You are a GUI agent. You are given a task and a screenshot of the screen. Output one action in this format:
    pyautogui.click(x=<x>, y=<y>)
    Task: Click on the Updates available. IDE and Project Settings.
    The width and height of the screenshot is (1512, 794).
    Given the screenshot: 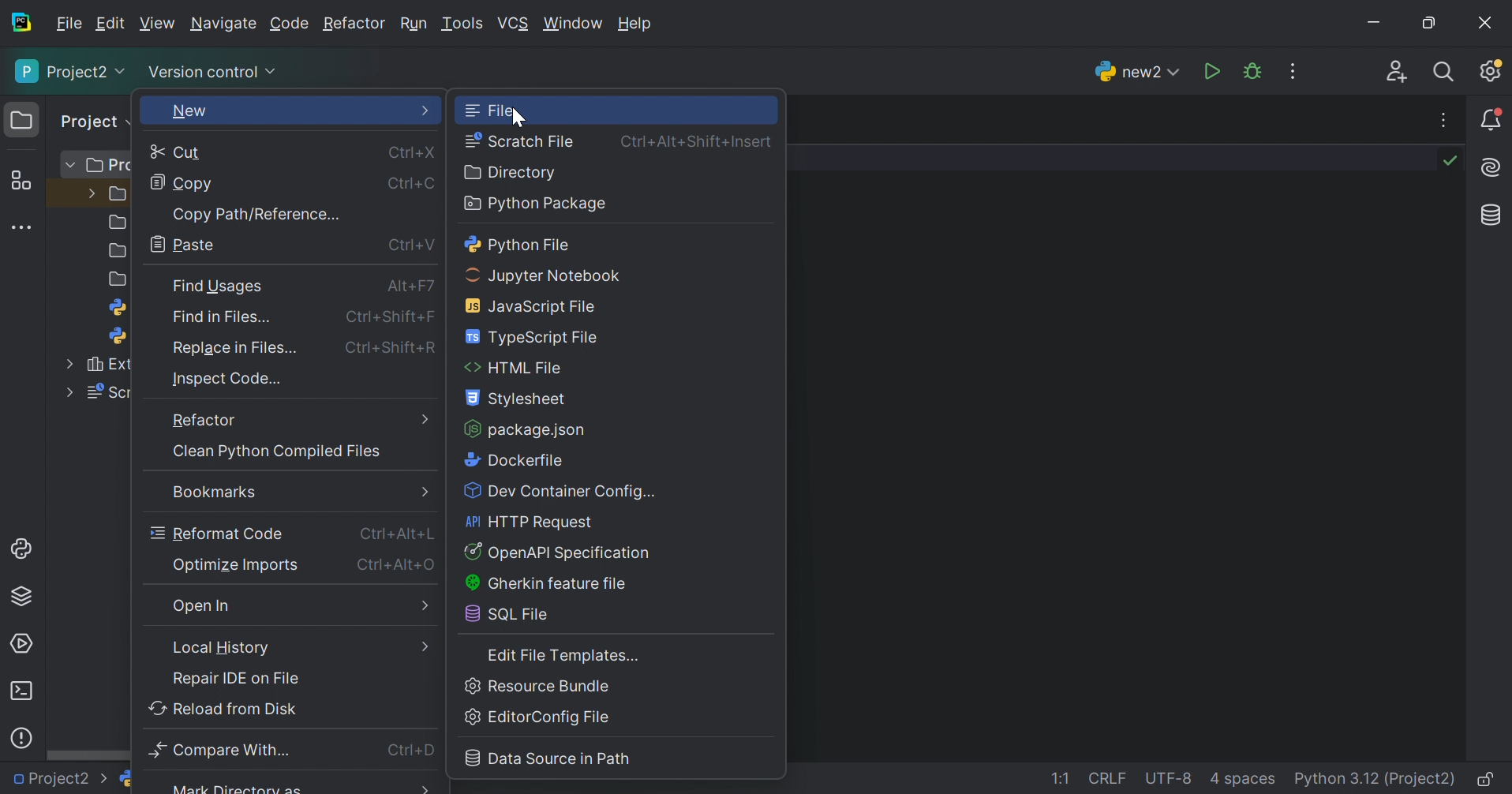 What is the action you would take?
    pyautogui.click(x=1493, y=73)
    